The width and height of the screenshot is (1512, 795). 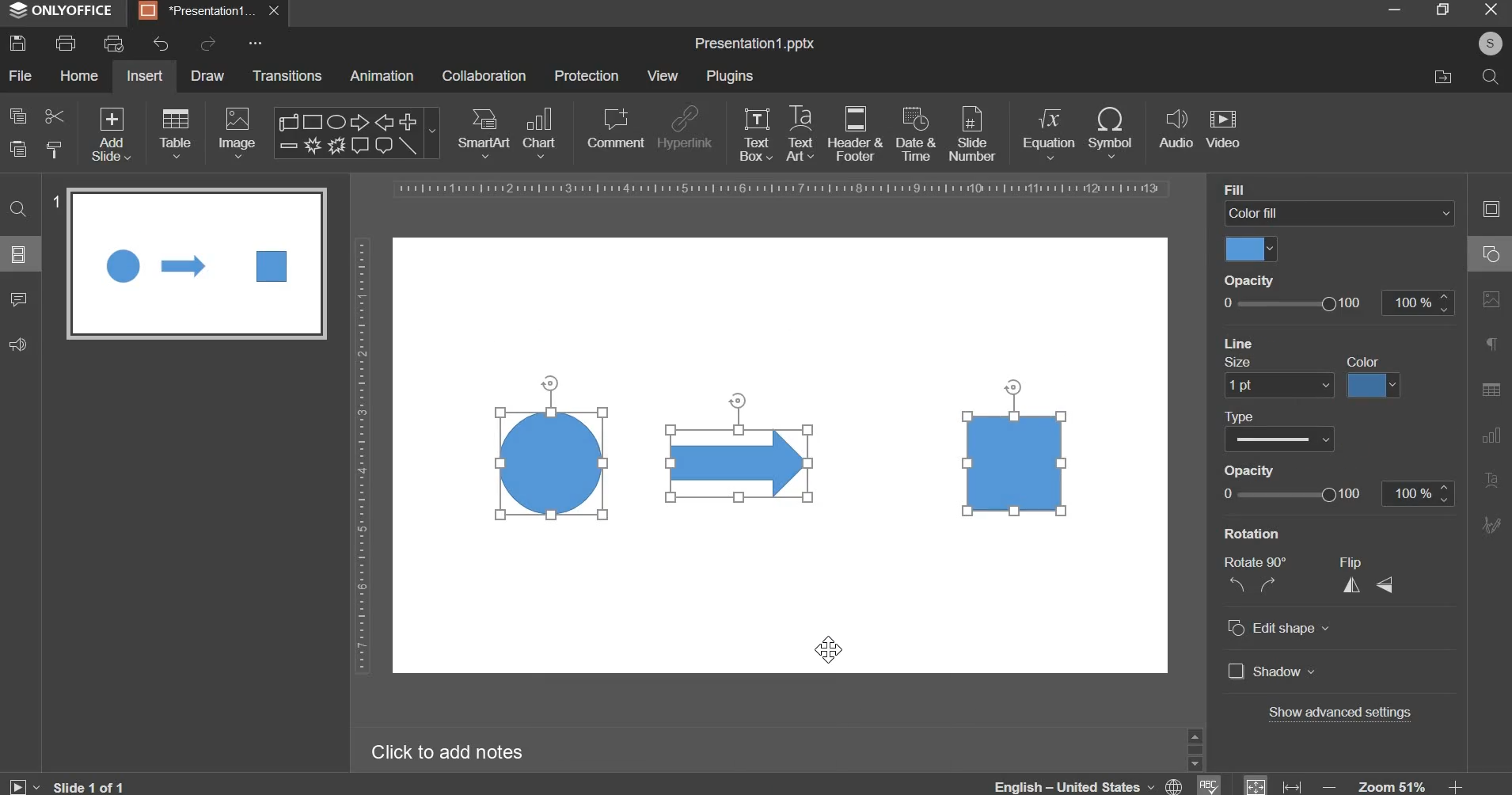 I want to click on header & footer, so click(x=854, y=133).